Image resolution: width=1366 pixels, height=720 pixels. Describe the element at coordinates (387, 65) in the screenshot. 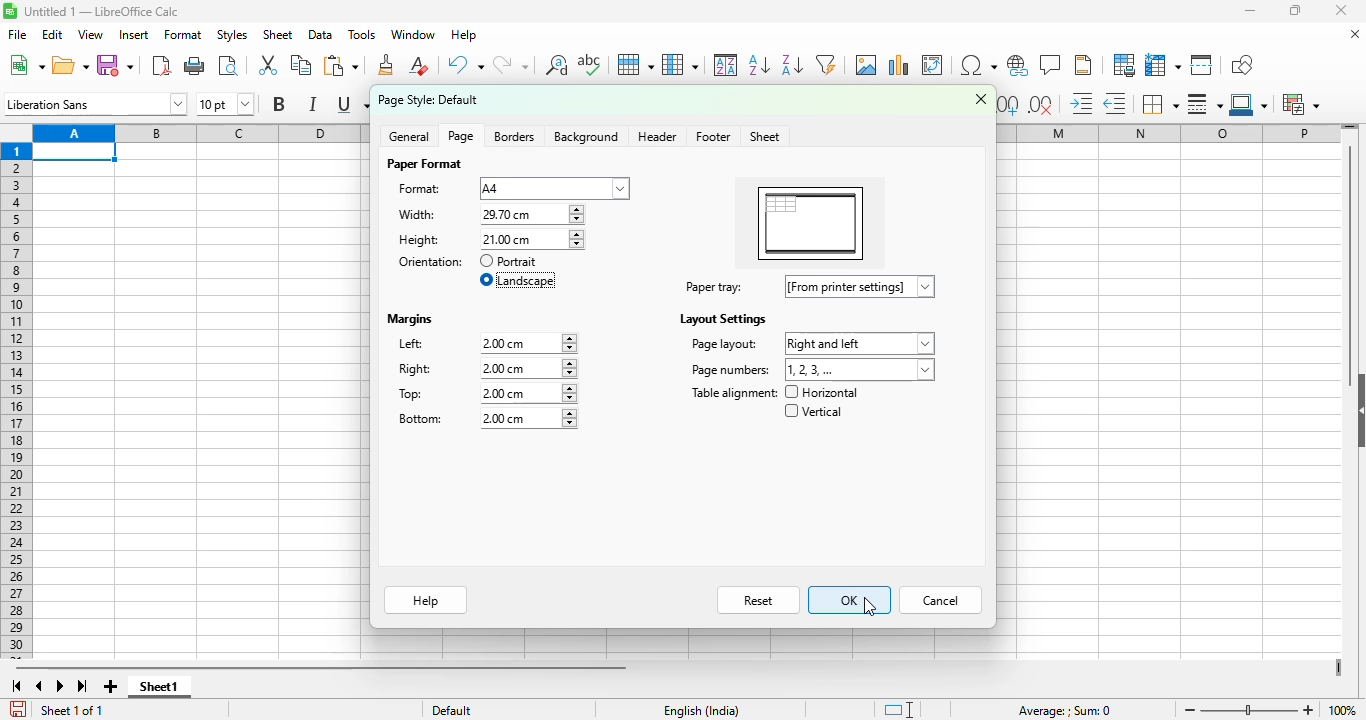

I see `clone formatting` at that location.